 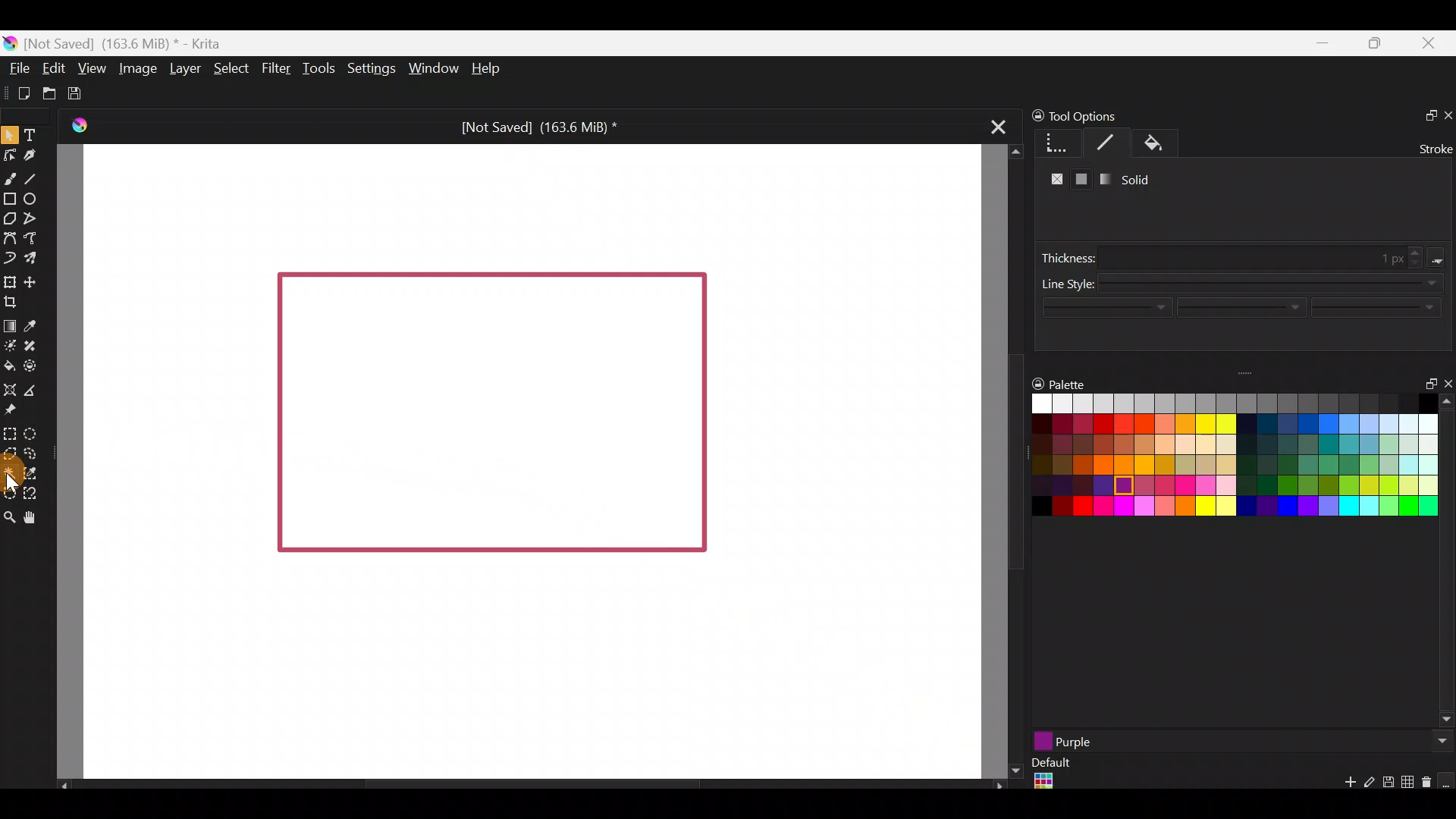 I want to click on Krita logo, so click(x=11, y=42).